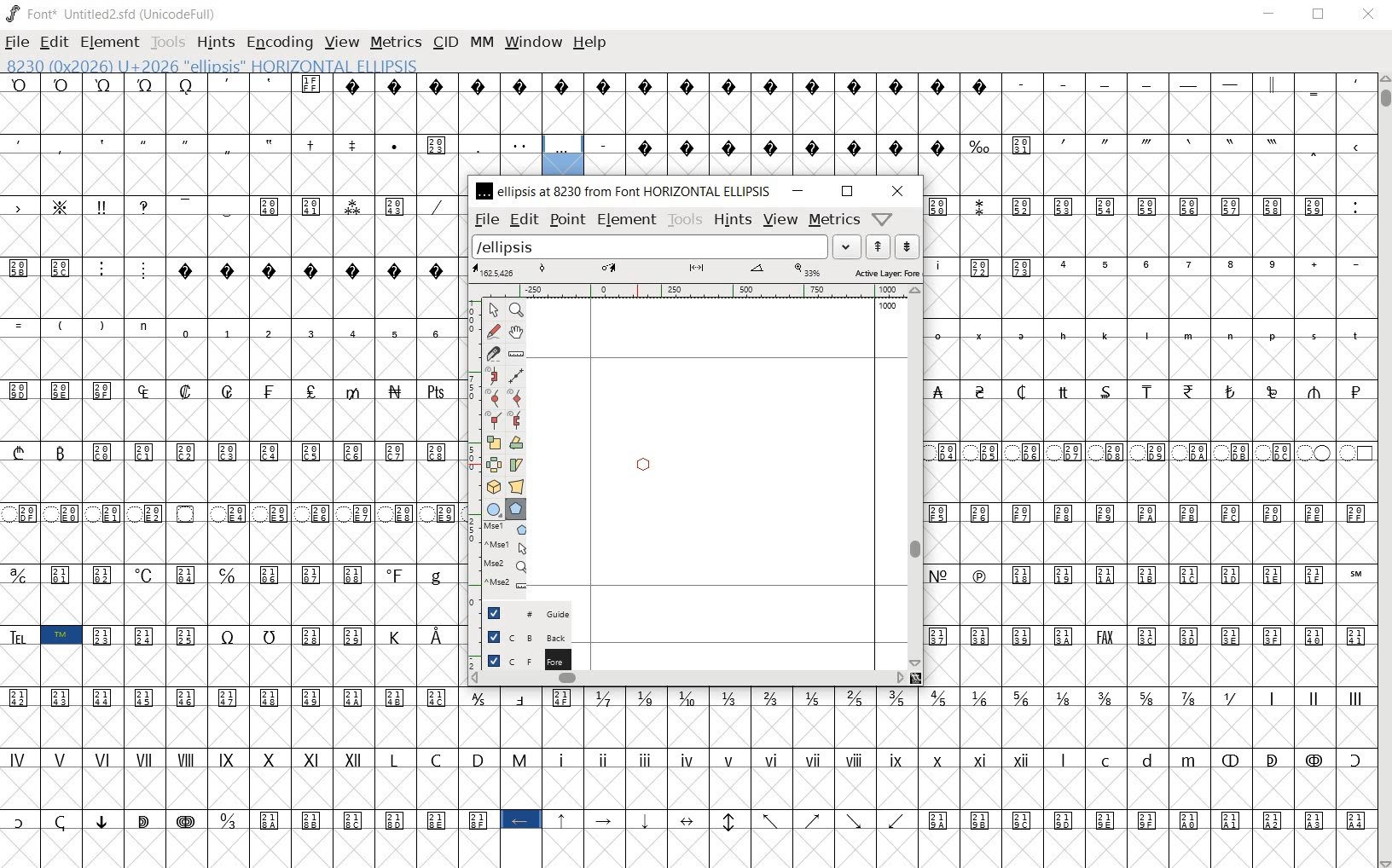 Image resolution: width=1392 pixels, height=868 pixels. I want to click on CLOSE, so click(1371, 14).